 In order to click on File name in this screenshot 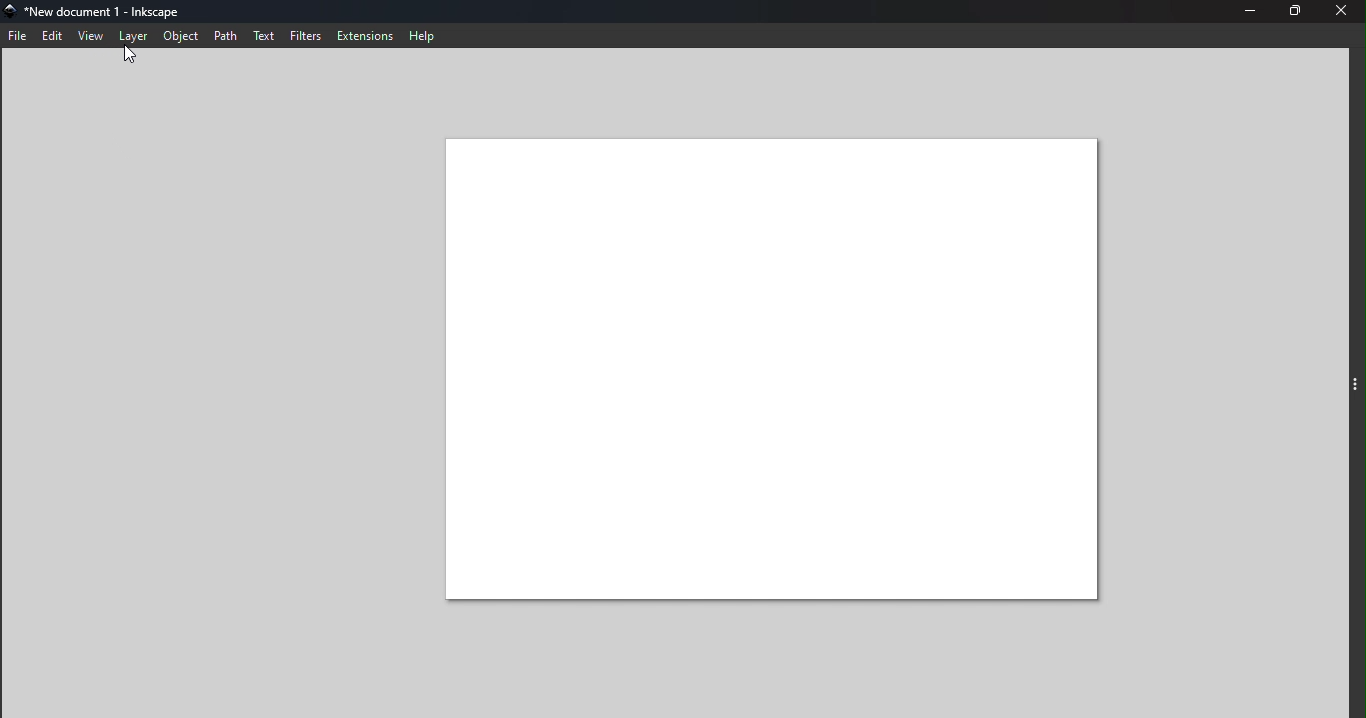, I will do `click(104, 11)`.